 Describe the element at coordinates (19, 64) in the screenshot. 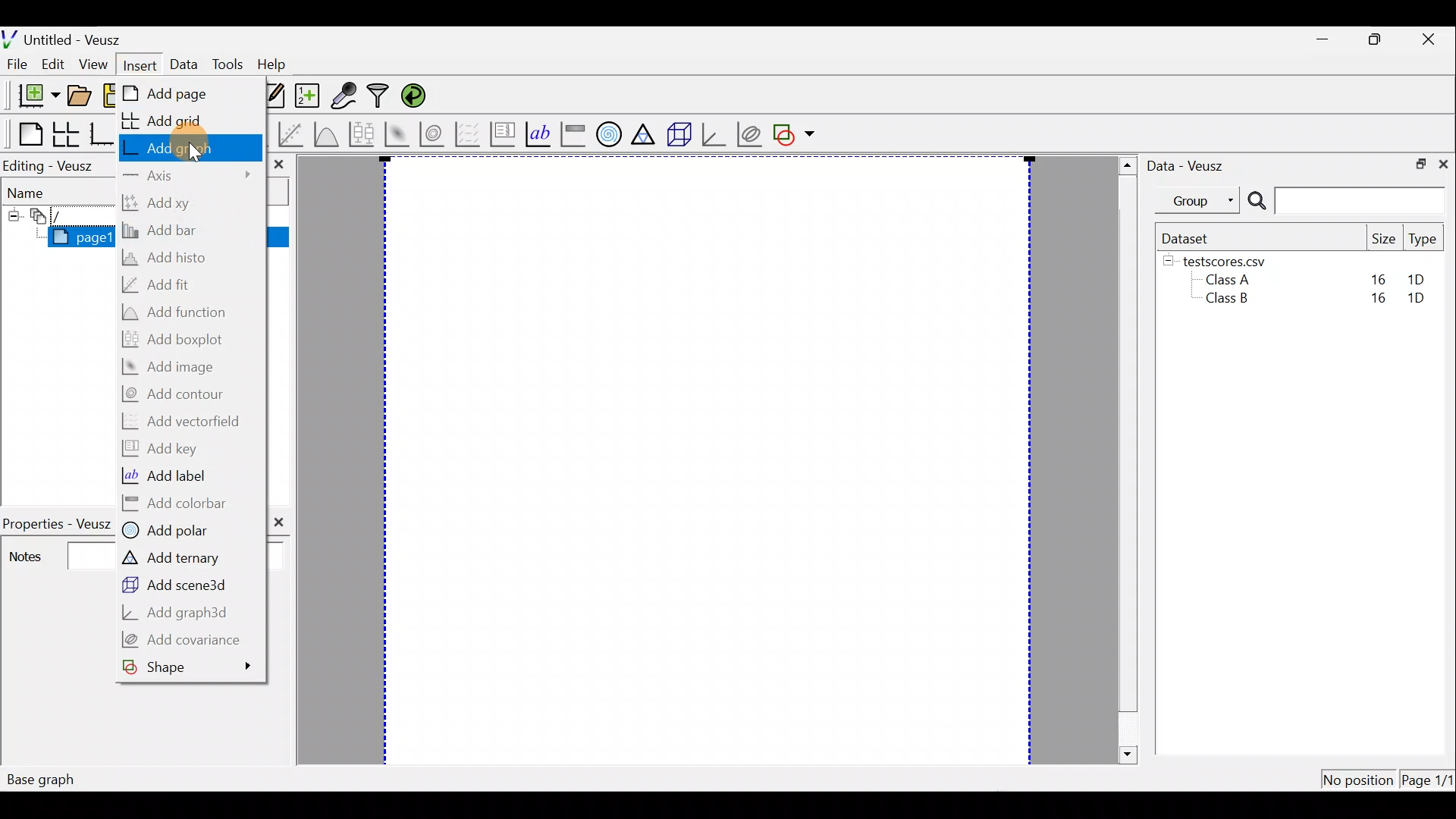

I see `File` at that location.